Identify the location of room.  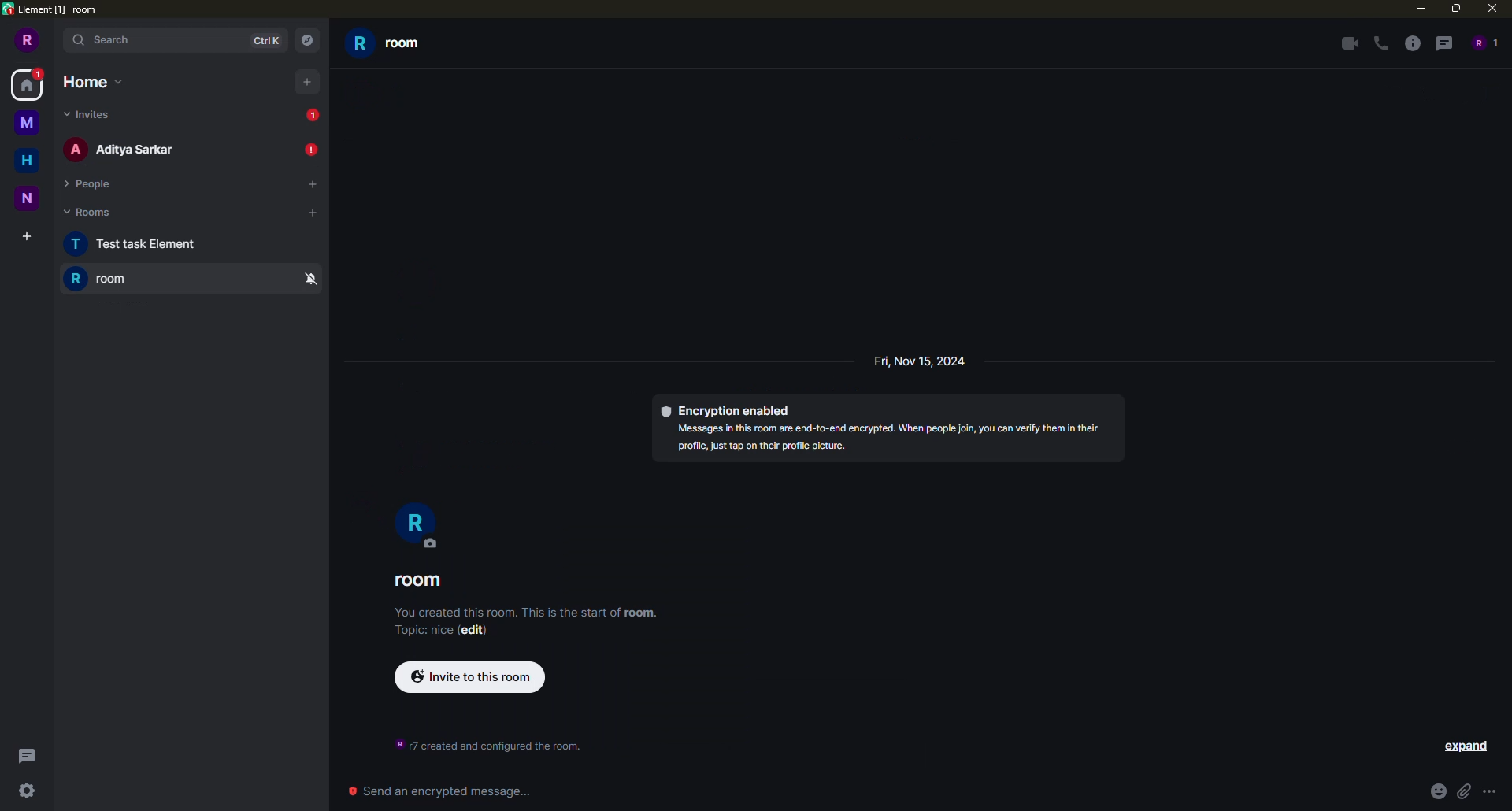
(387, 42).